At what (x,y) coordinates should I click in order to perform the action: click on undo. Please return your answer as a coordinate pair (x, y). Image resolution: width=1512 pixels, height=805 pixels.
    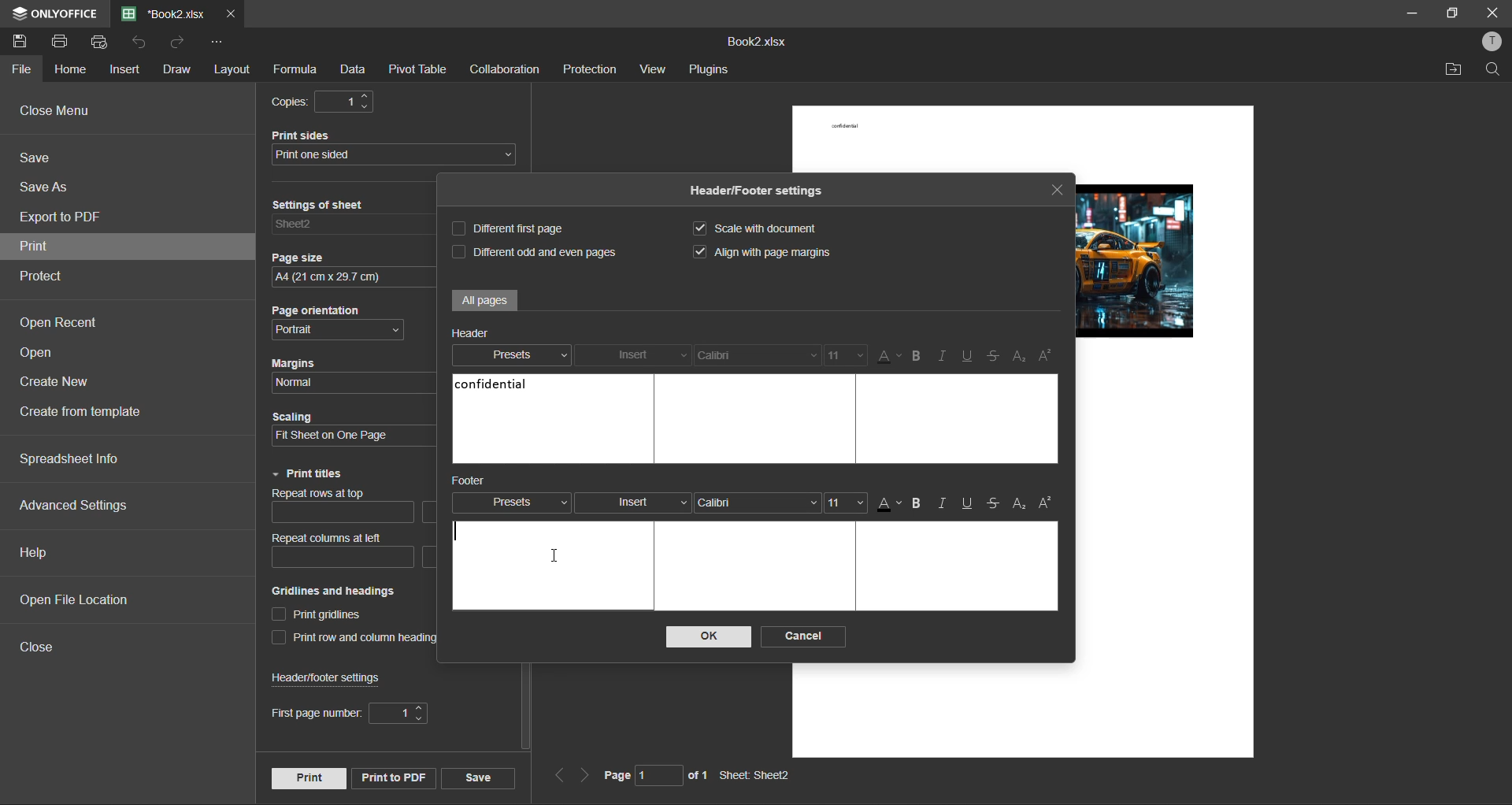
    Looking at the image, I should click on (143, 45).